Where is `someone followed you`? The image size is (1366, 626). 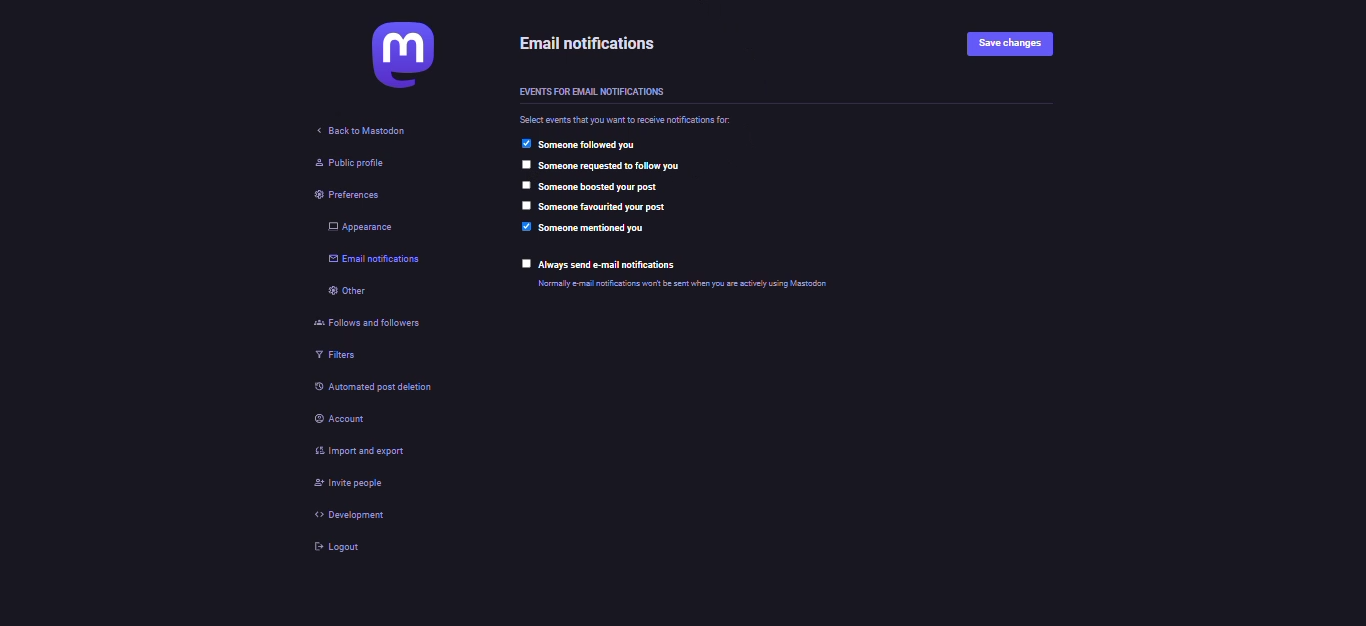
someone followed you is located at coordinates (594, 145).